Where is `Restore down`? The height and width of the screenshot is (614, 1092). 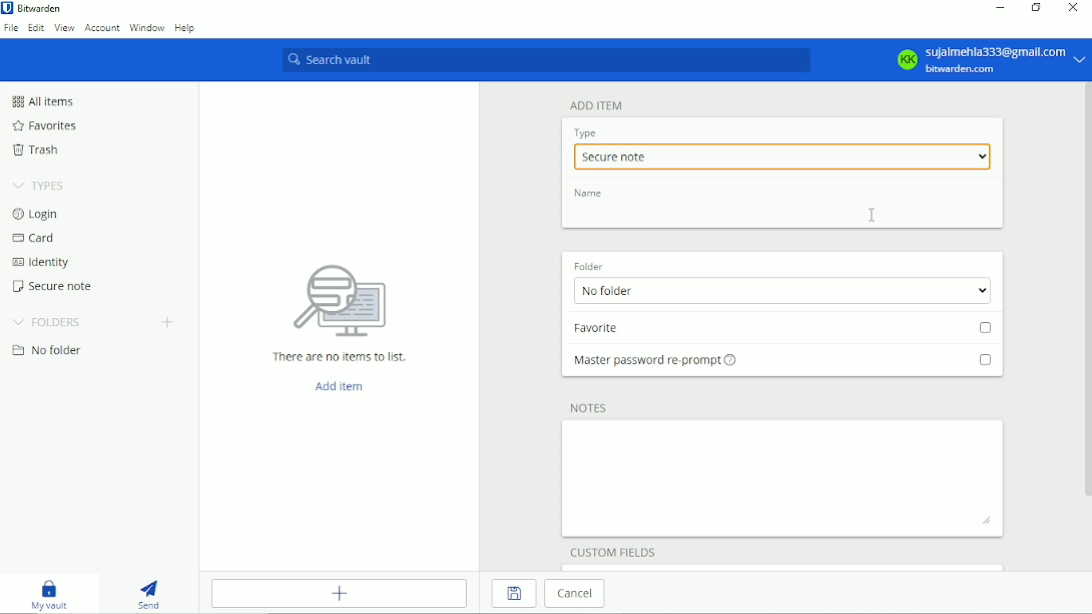 Restore down is located at coordinates (1034, 8).